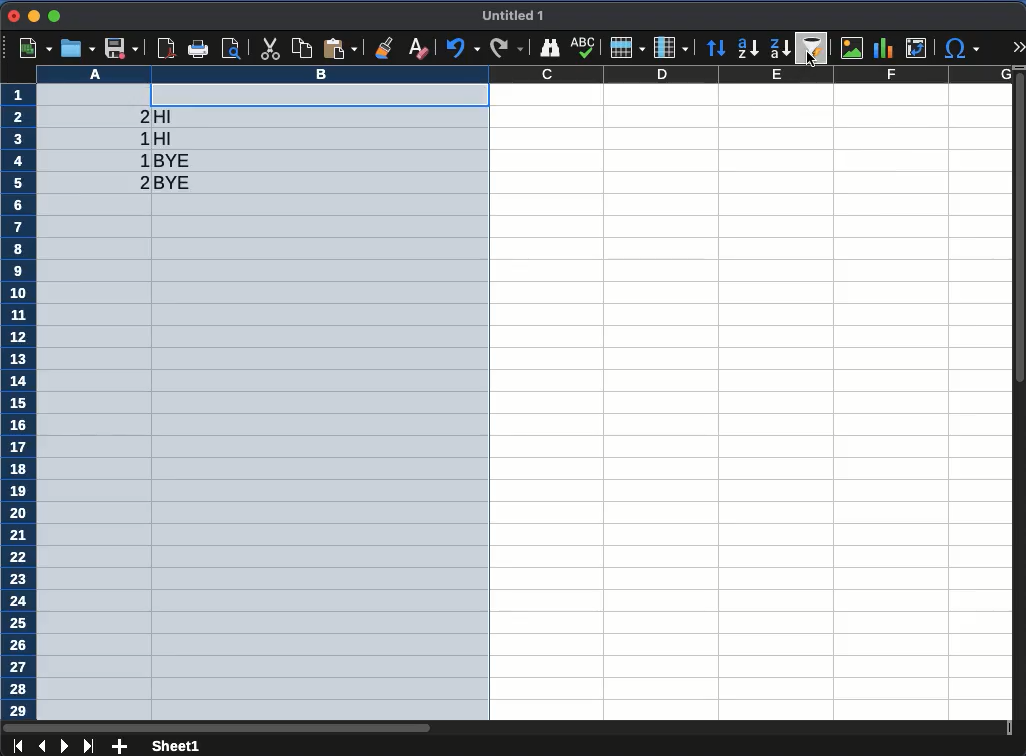 The width and height of the screenshot is (1026, 756). Describe the element at coordinates (550, 48) in the screenshot. I see `finder` at that location.